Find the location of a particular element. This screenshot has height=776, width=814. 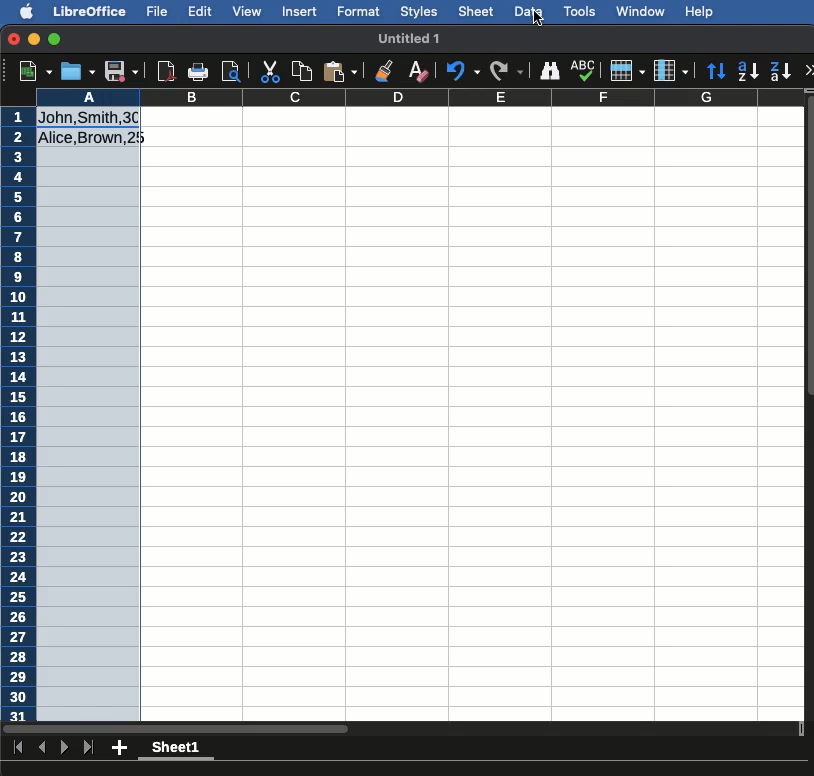

Data is located at coordinates (530, 11).